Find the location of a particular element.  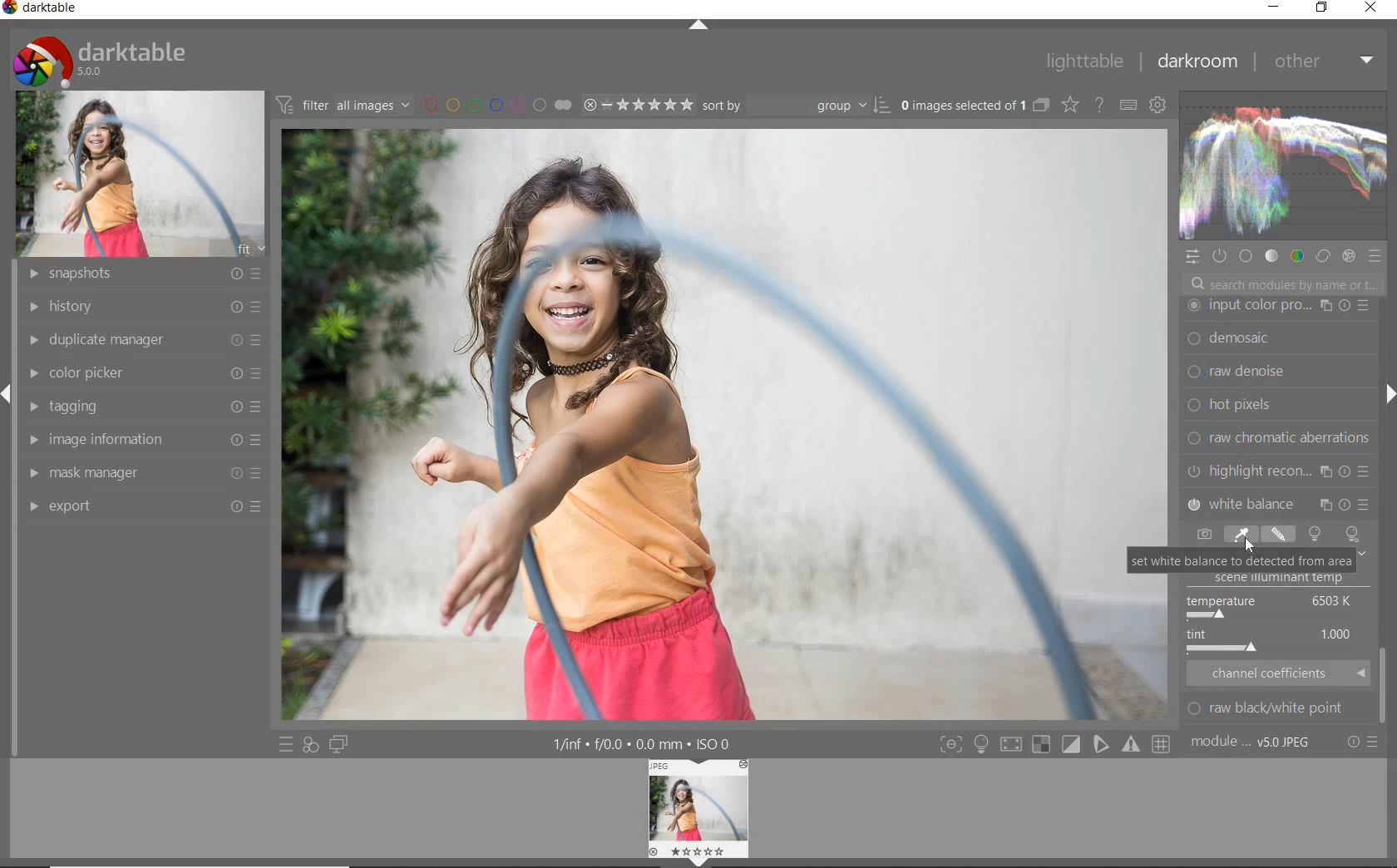

output color preset is located at coordinates (1276, 405).